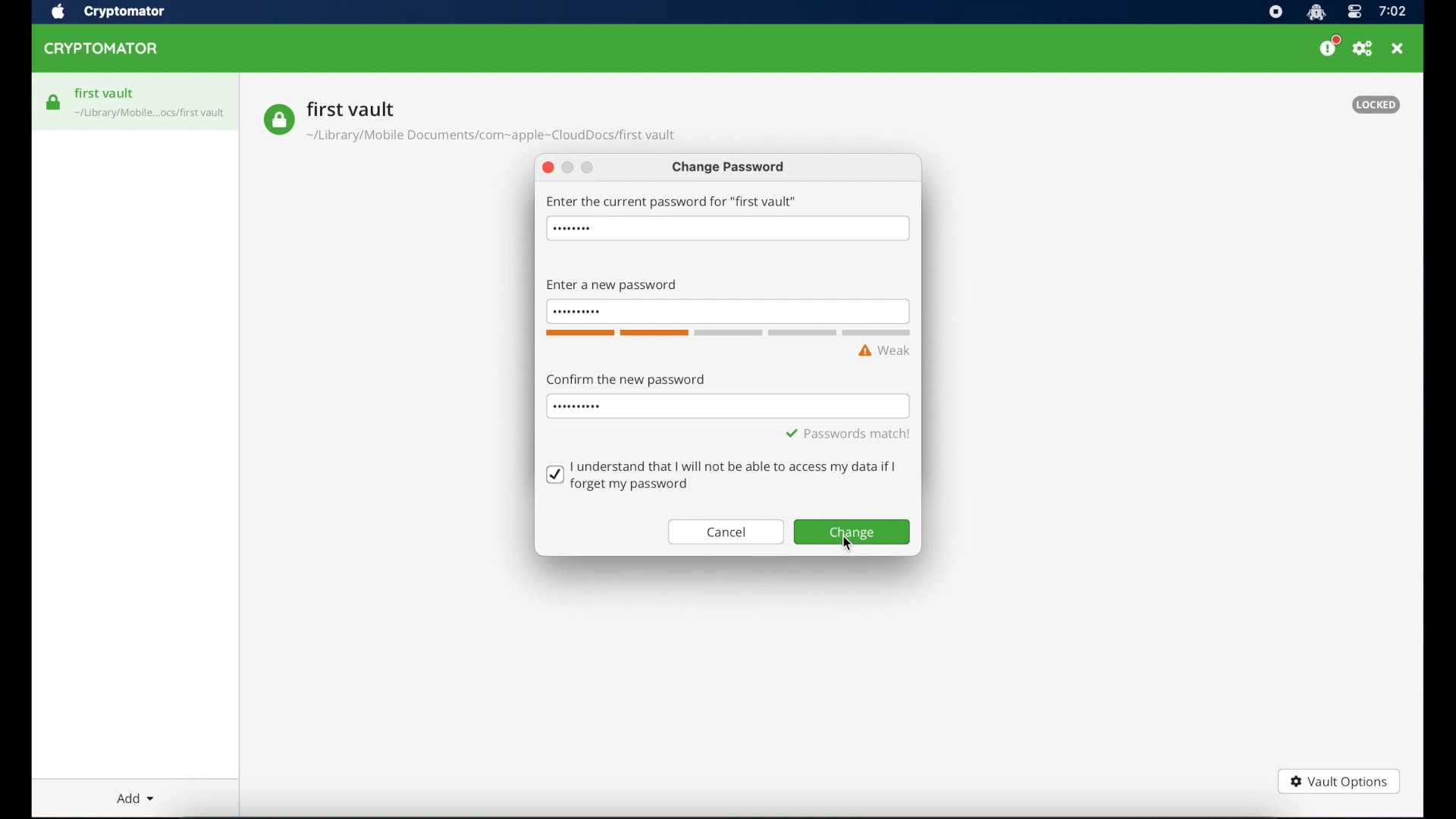  What do you see at coordinates (1354, 13) in the screenshot?
I see `control center` at bounding box center [1354, 13].